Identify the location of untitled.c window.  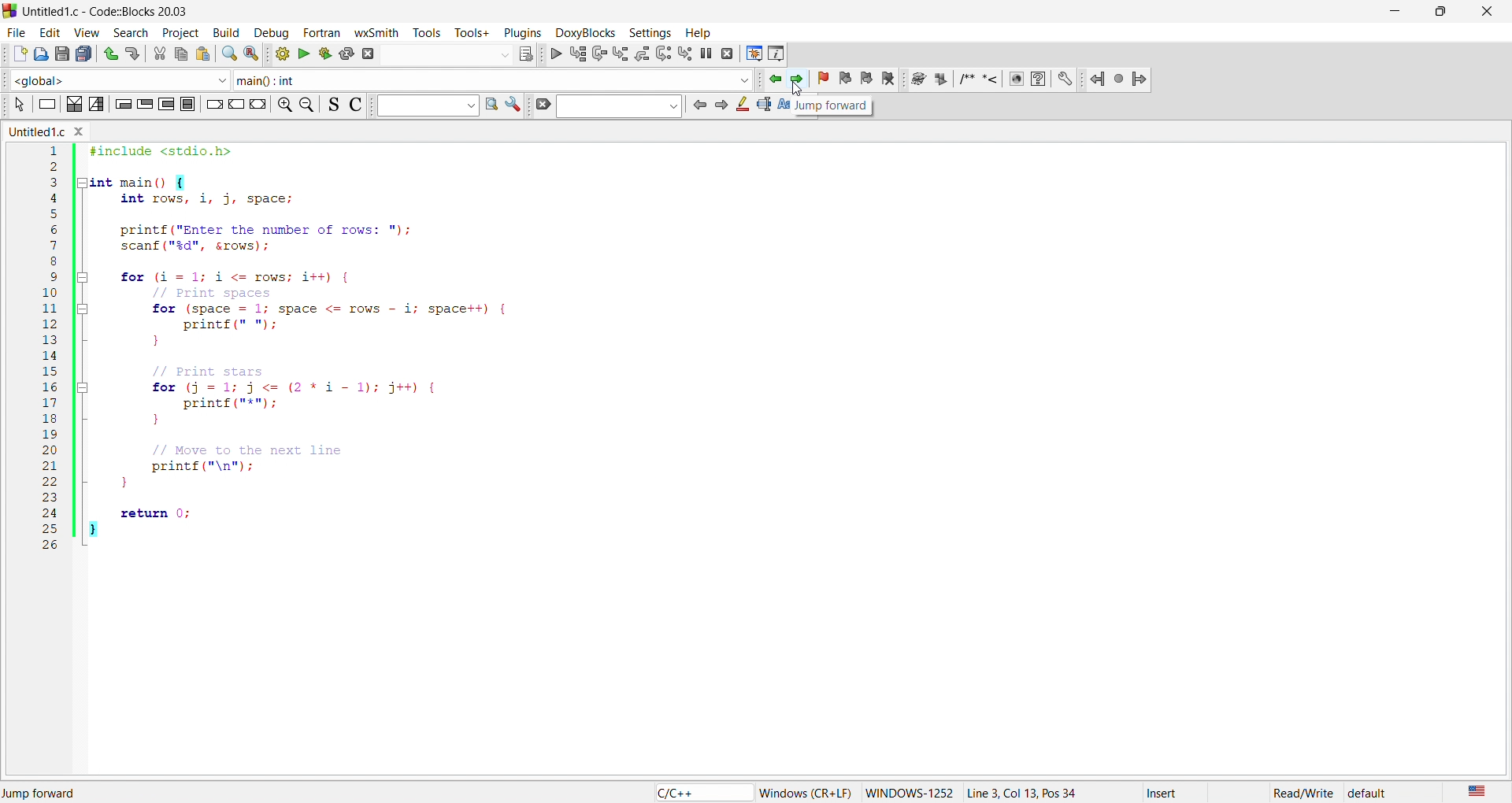
(47, 132).